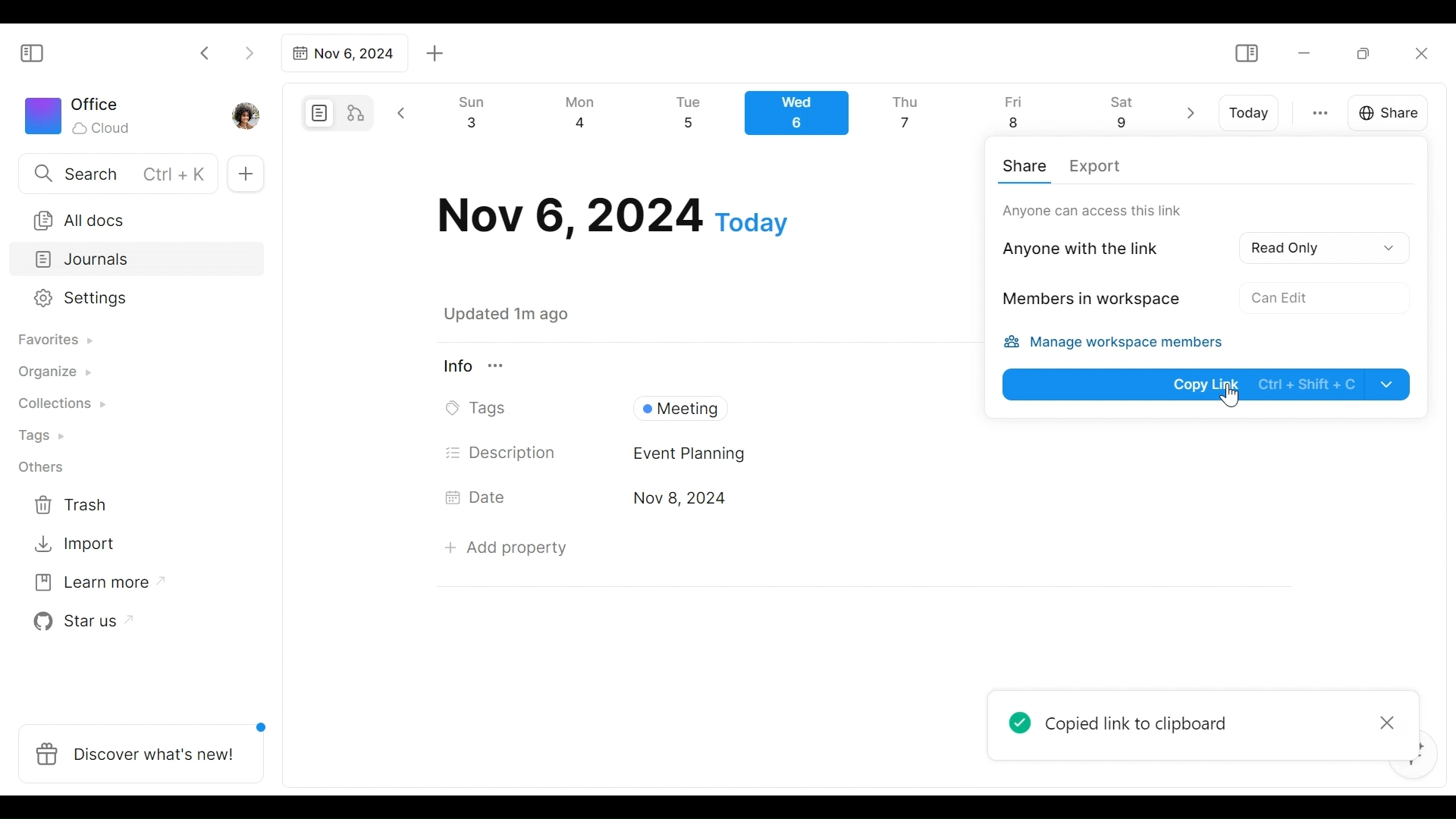 The width and height of the screenshot is (1456, 819). I want to click on Search, so click(116, 173).